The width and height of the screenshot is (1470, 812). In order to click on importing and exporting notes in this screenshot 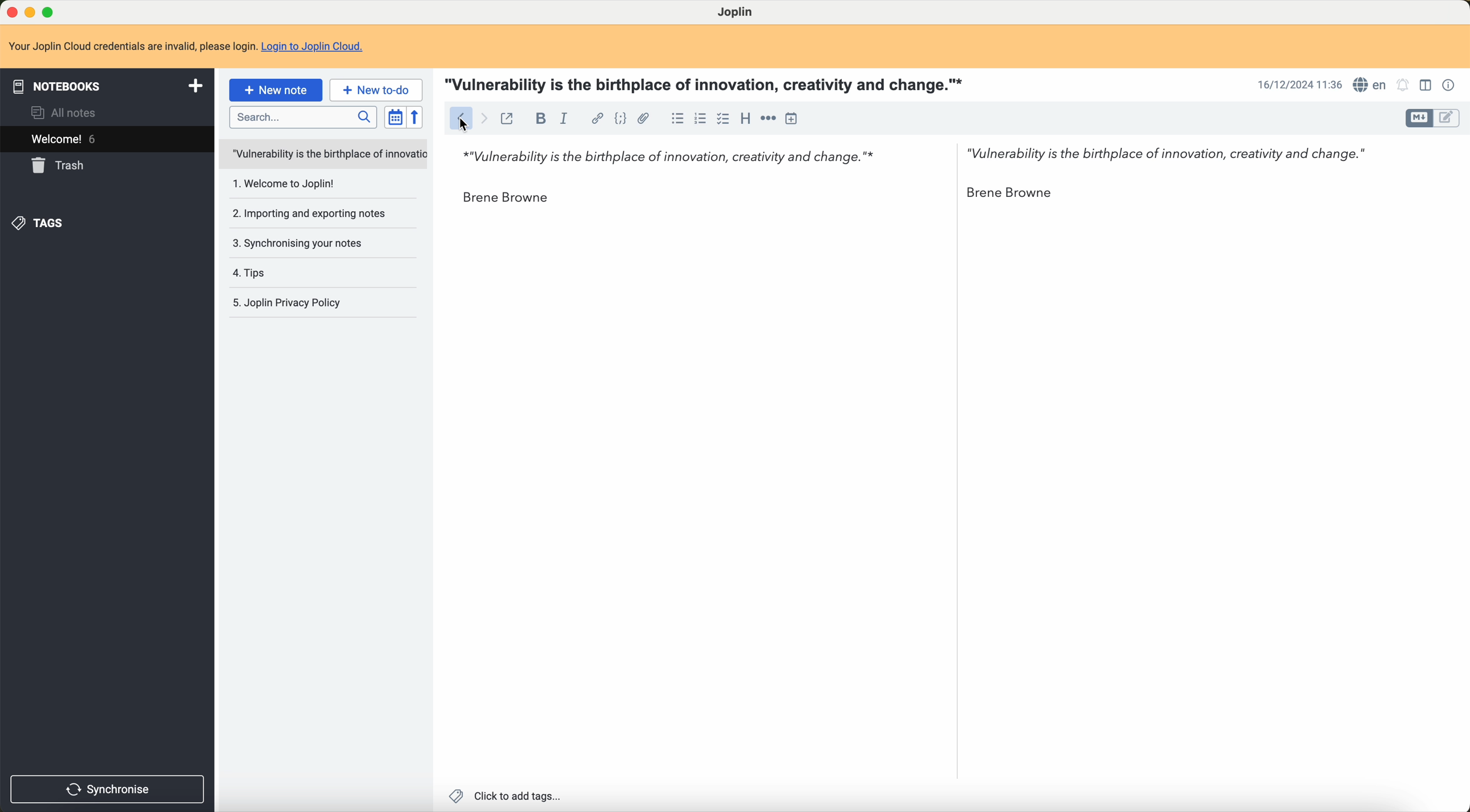, I will do `click(312, 214)`.